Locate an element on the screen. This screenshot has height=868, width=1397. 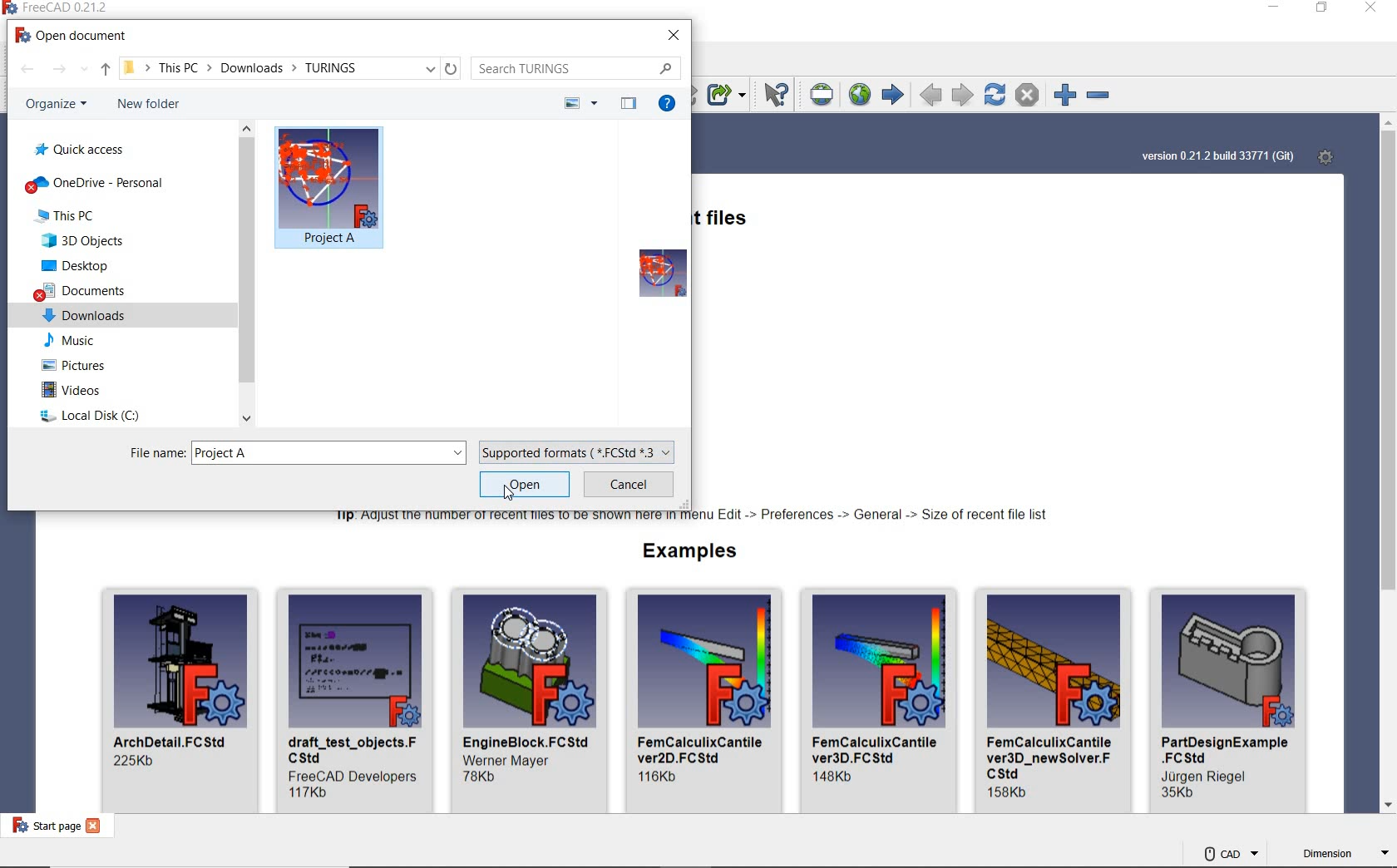
OPEN WEBSITE is located at coordinates (857, 94).